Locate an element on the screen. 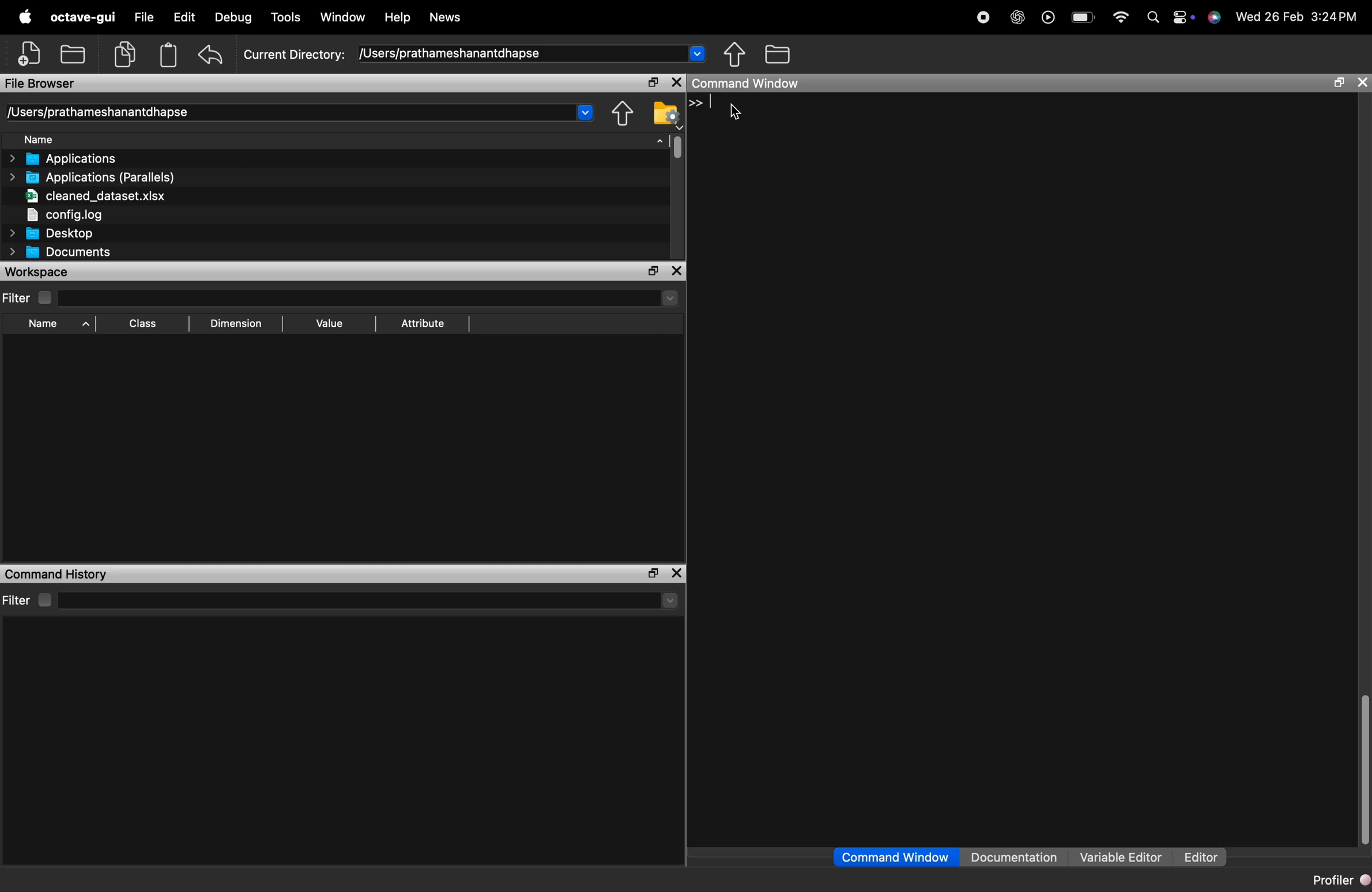 This screenshot has height=892, width=1372. Directory settings is located at coordinates (666, 112).